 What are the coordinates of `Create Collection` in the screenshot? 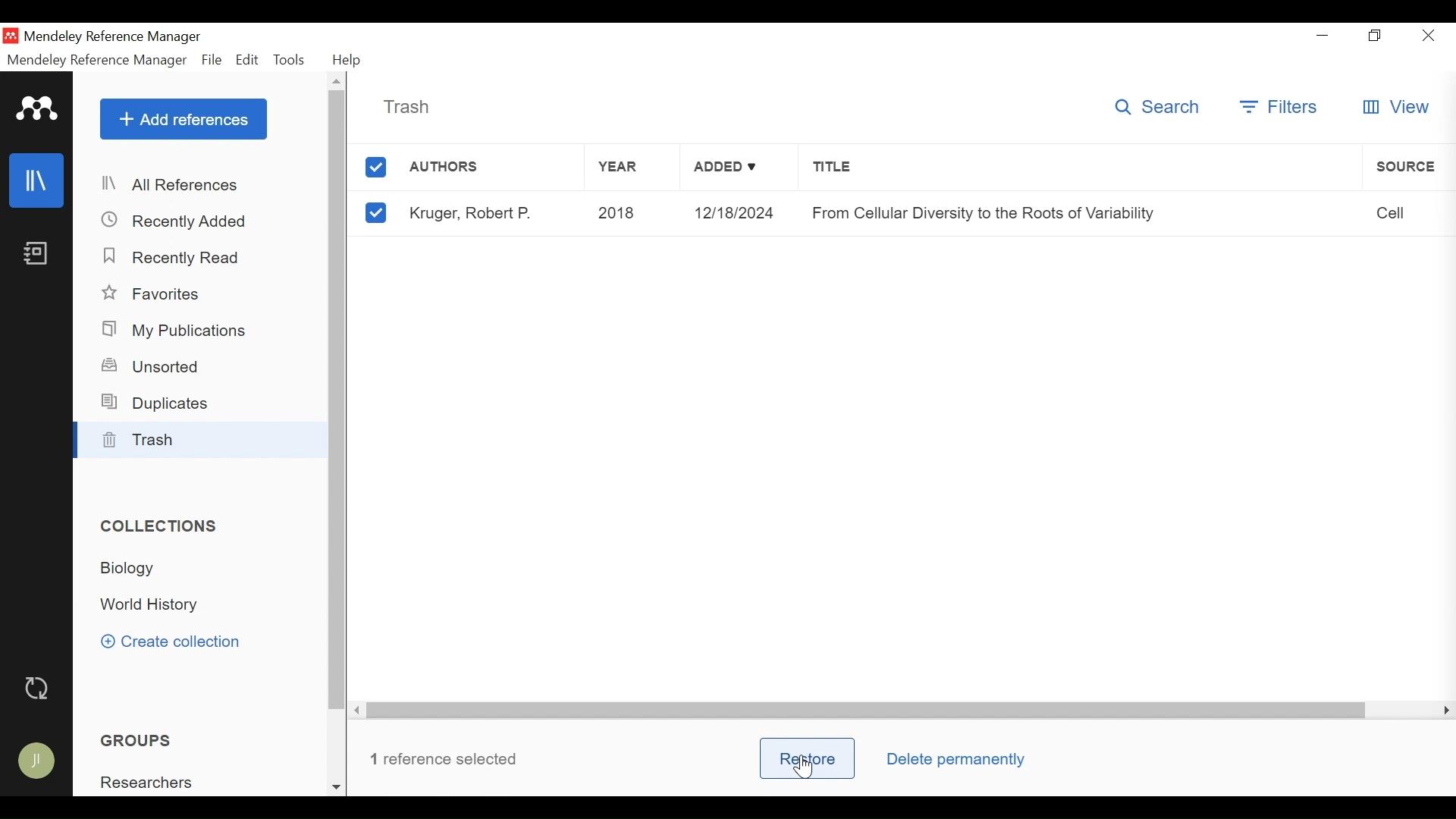 It's located at (175, 642).